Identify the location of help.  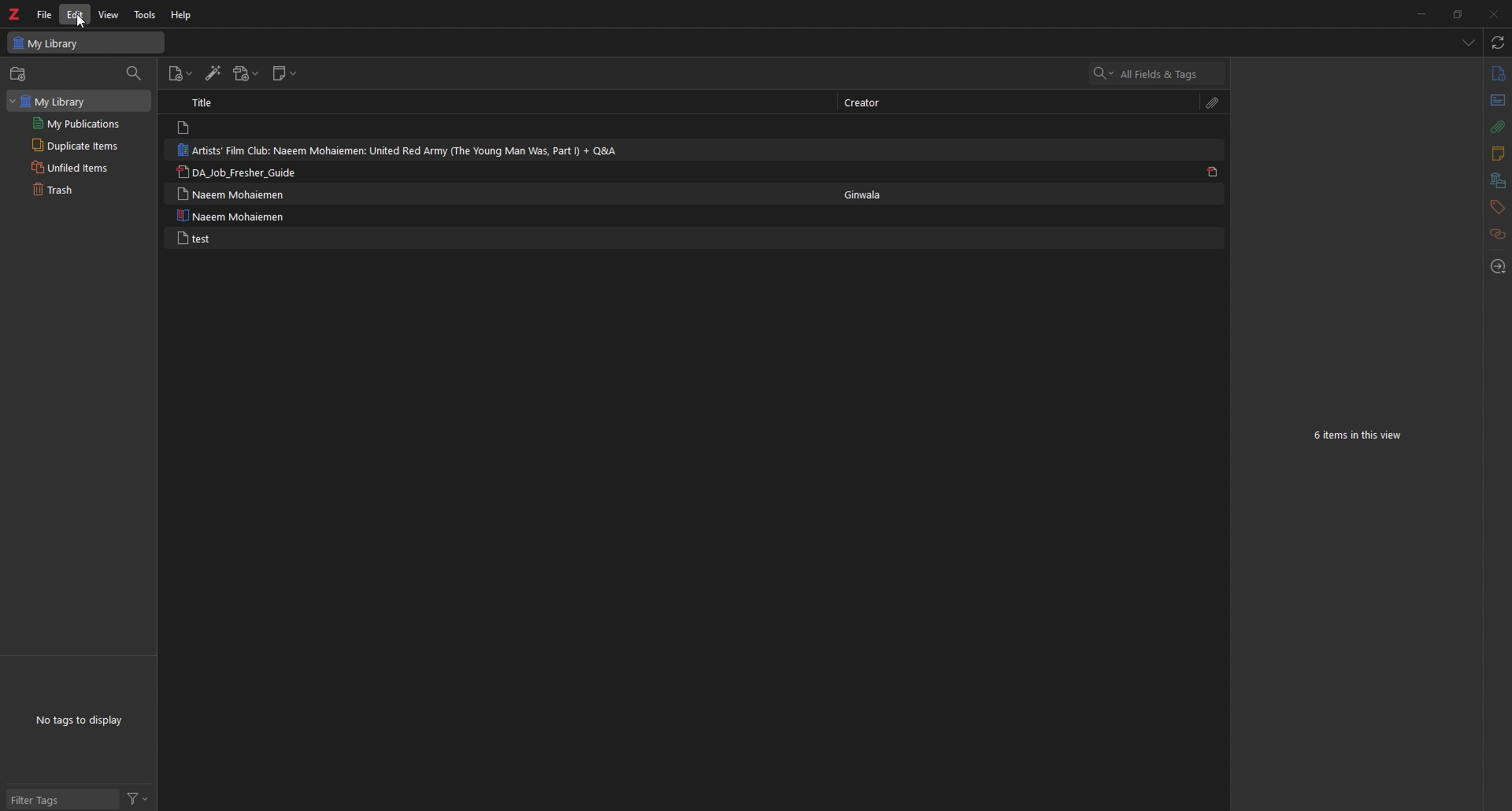
(183, 15).